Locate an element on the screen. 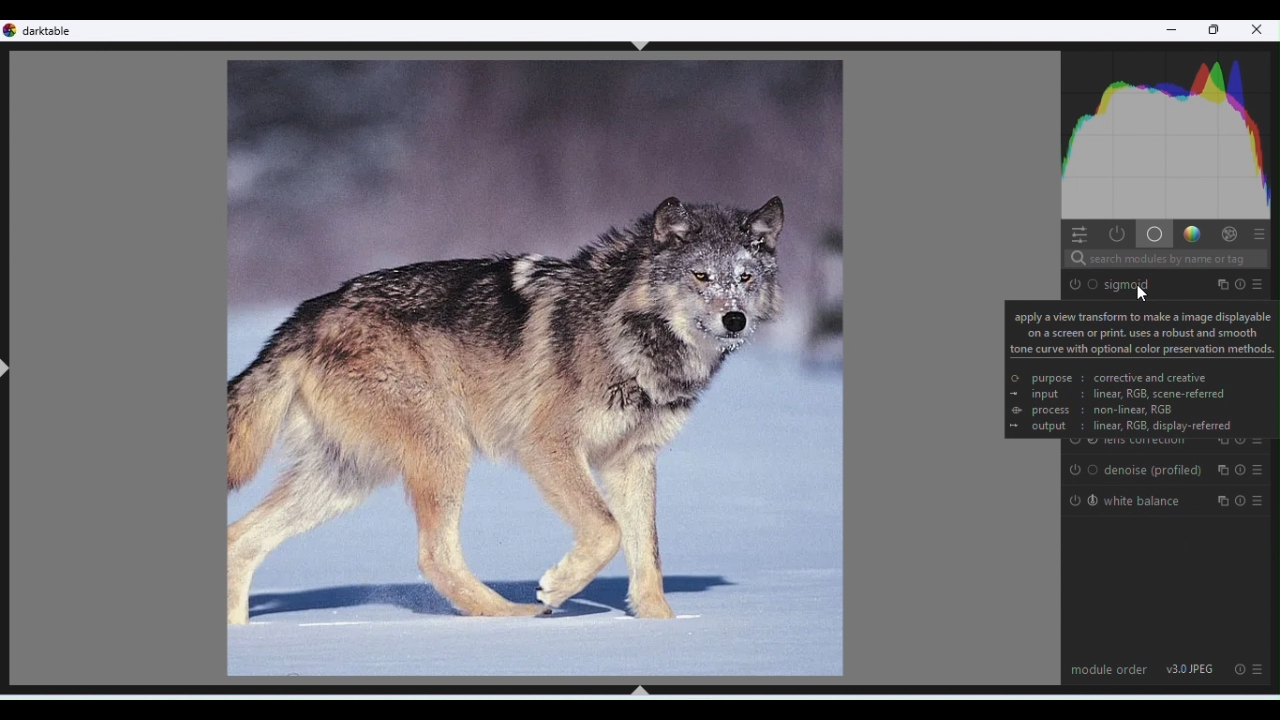 This screenshot has width=1280, height=720. cursor is located at coordinates (1143, 293).